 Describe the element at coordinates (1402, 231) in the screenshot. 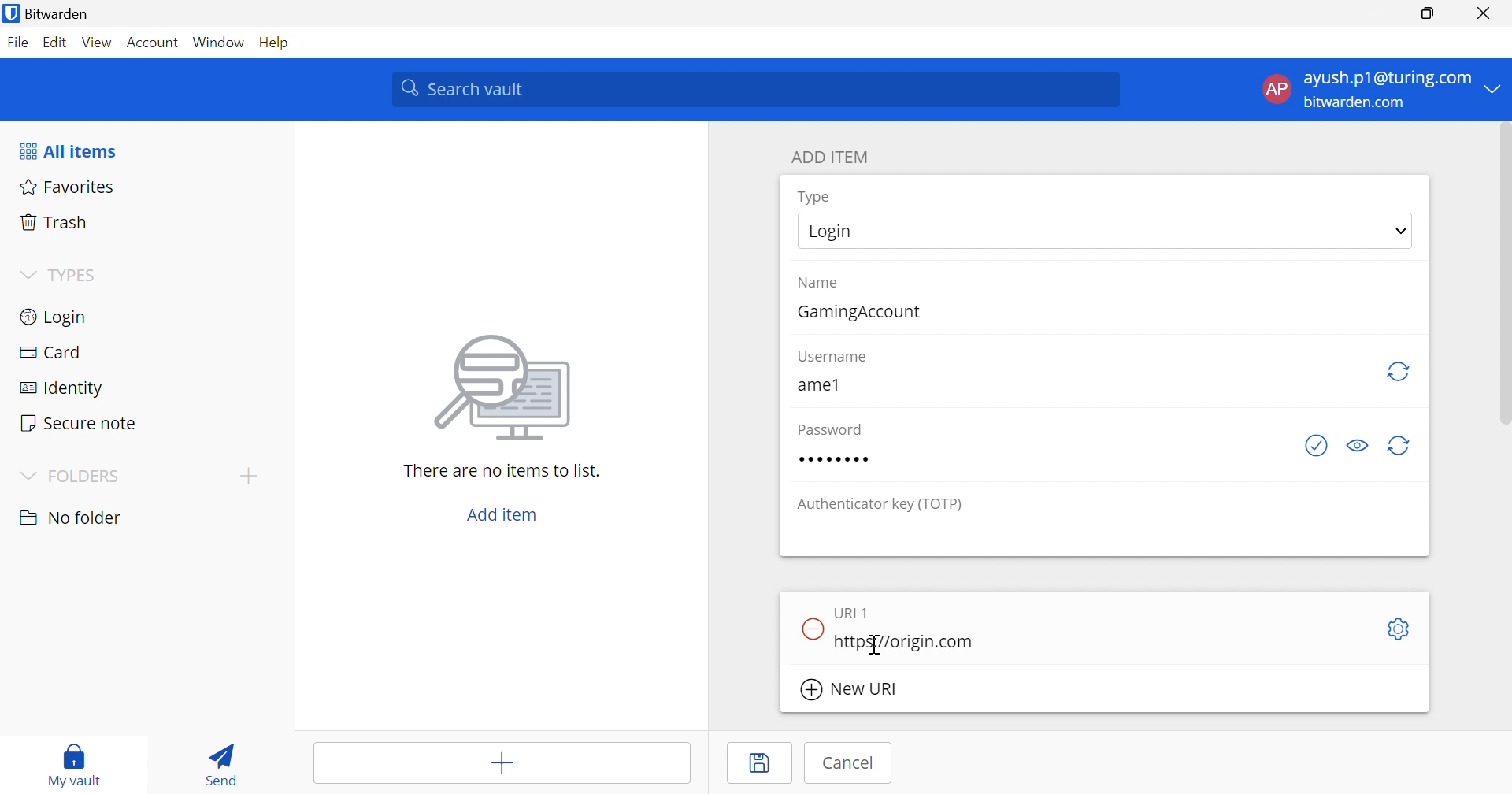

I see `Drop Down` at that location.